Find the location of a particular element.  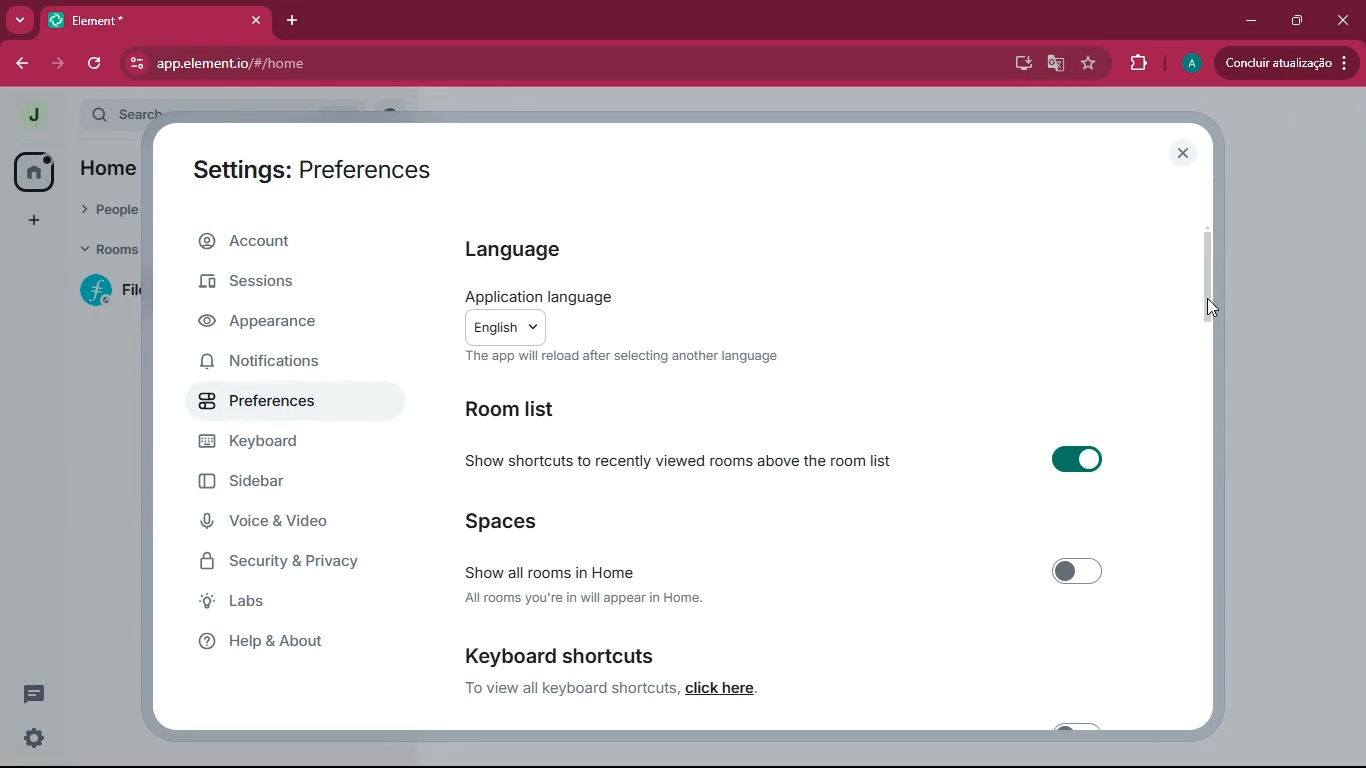

cursor is located at coordinates (1208, 311).